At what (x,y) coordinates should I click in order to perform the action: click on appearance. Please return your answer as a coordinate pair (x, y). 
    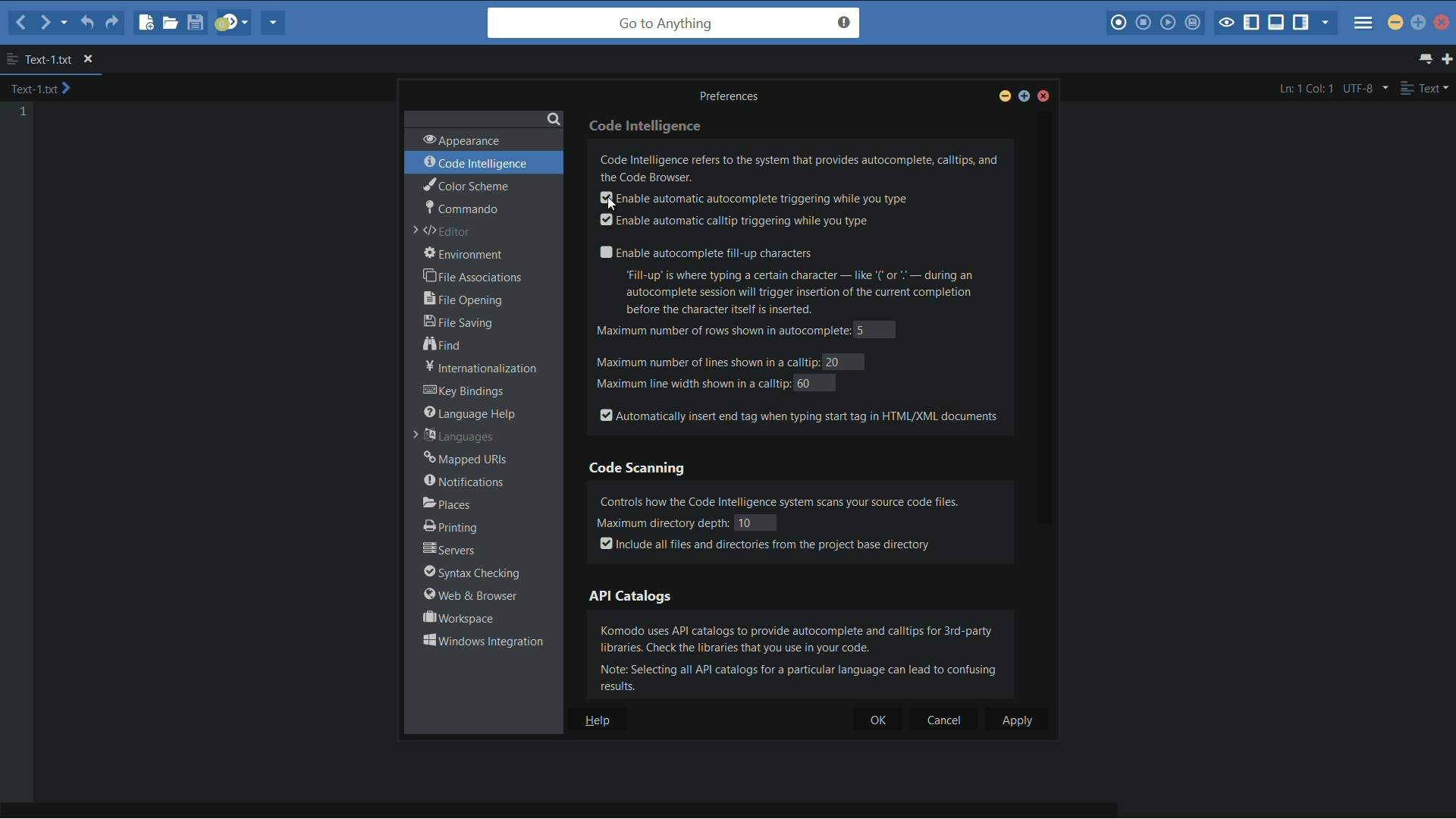
    Looking at the image, I should click on (461, 140).